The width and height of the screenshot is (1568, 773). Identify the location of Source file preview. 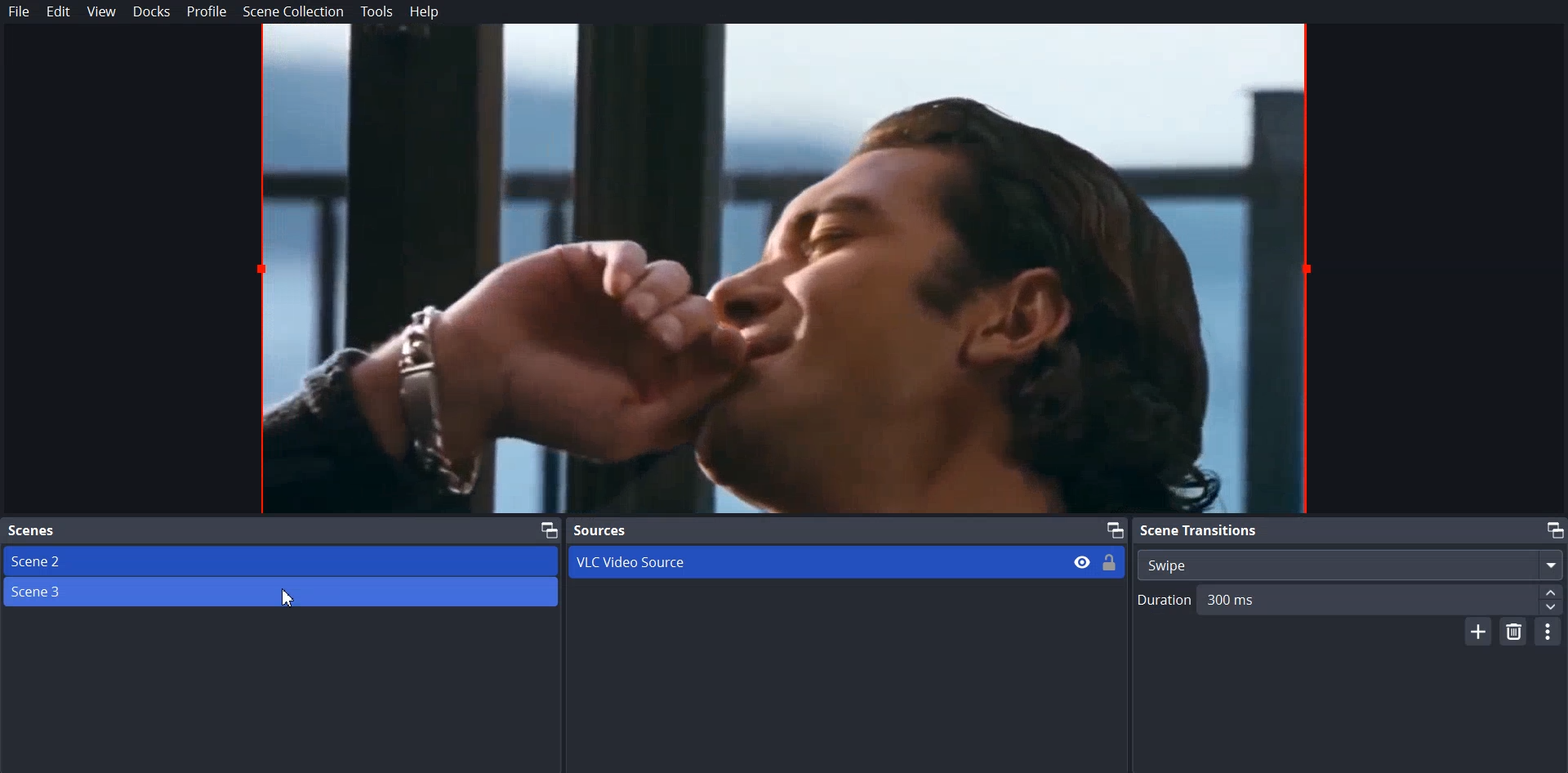
(782, 270).